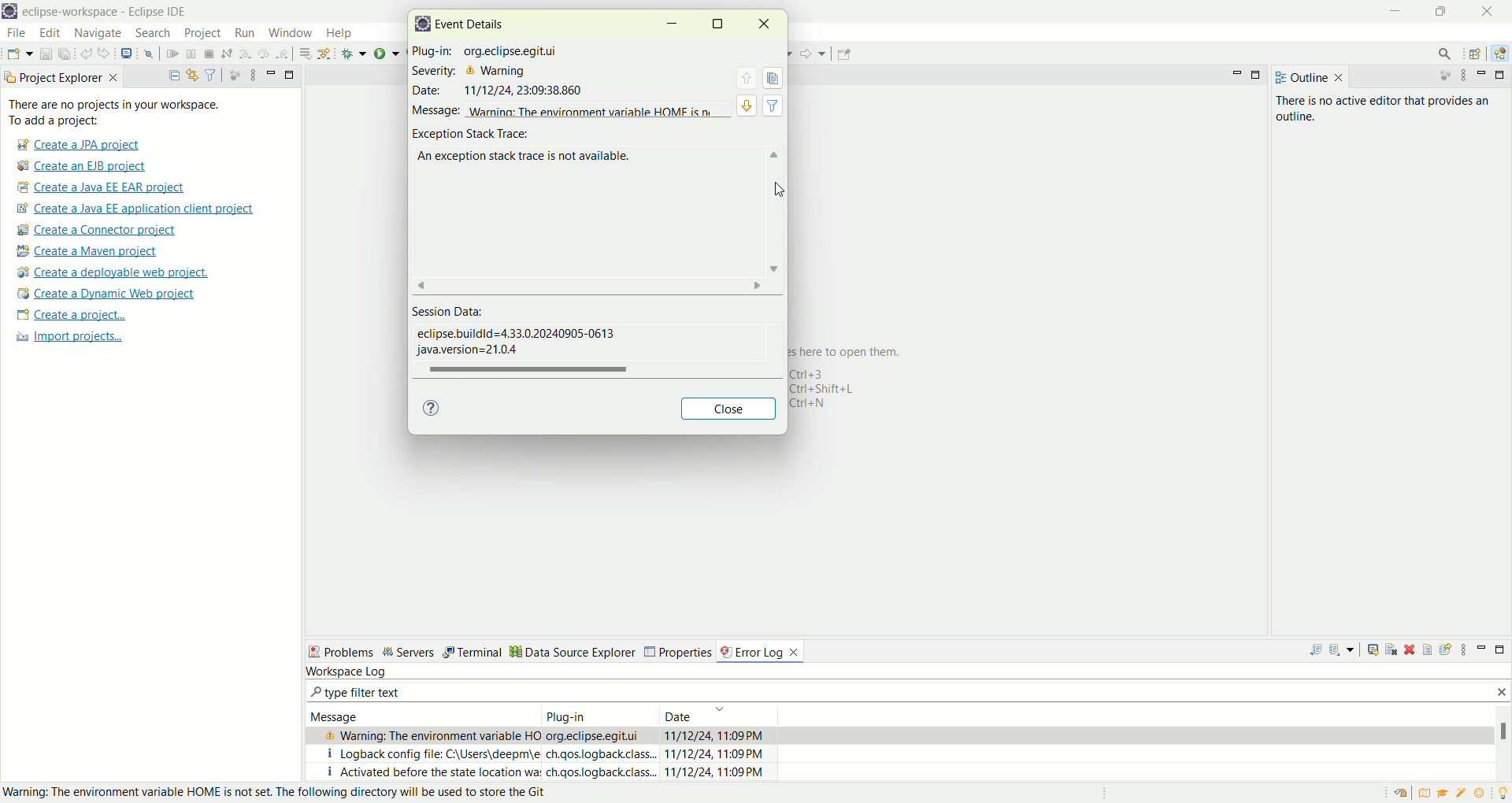  Describe the element at coordinates (1466, 650) in the screenshot. I see `view menu` at that location.